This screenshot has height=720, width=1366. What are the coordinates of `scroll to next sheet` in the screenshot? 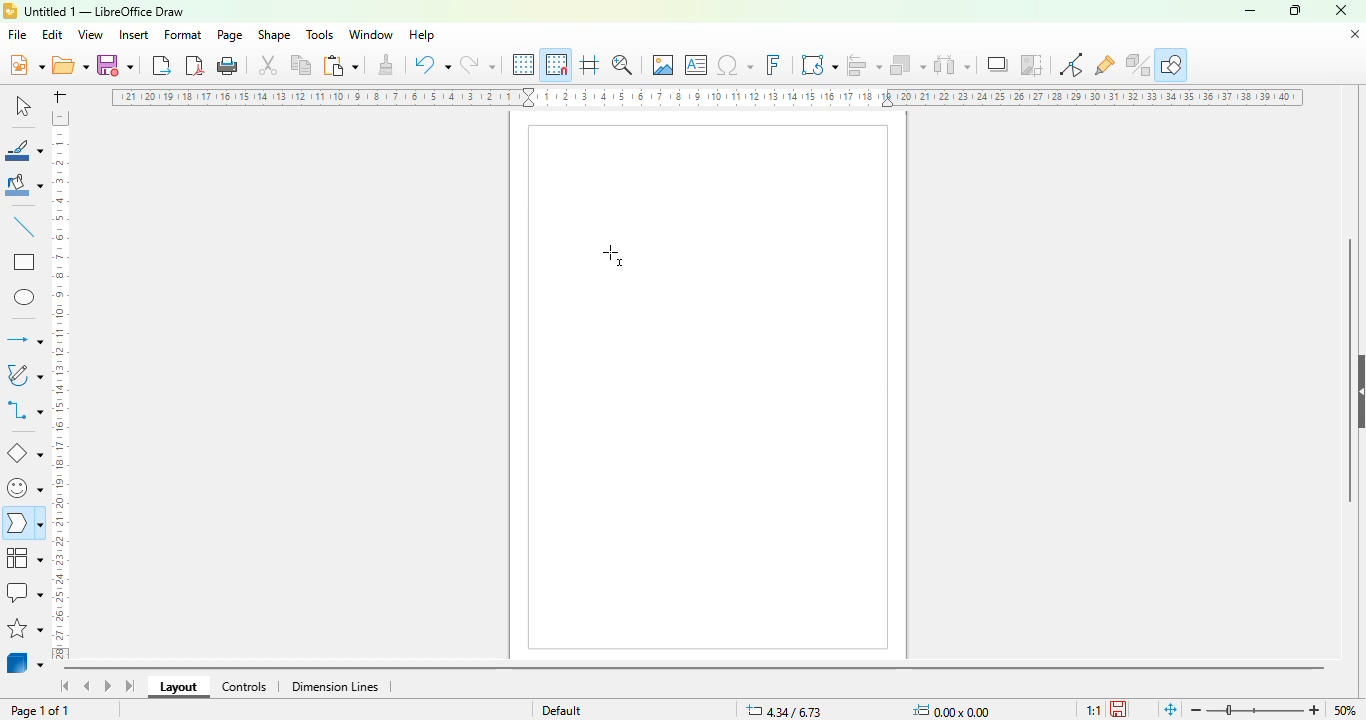 It's located at (108, 685).